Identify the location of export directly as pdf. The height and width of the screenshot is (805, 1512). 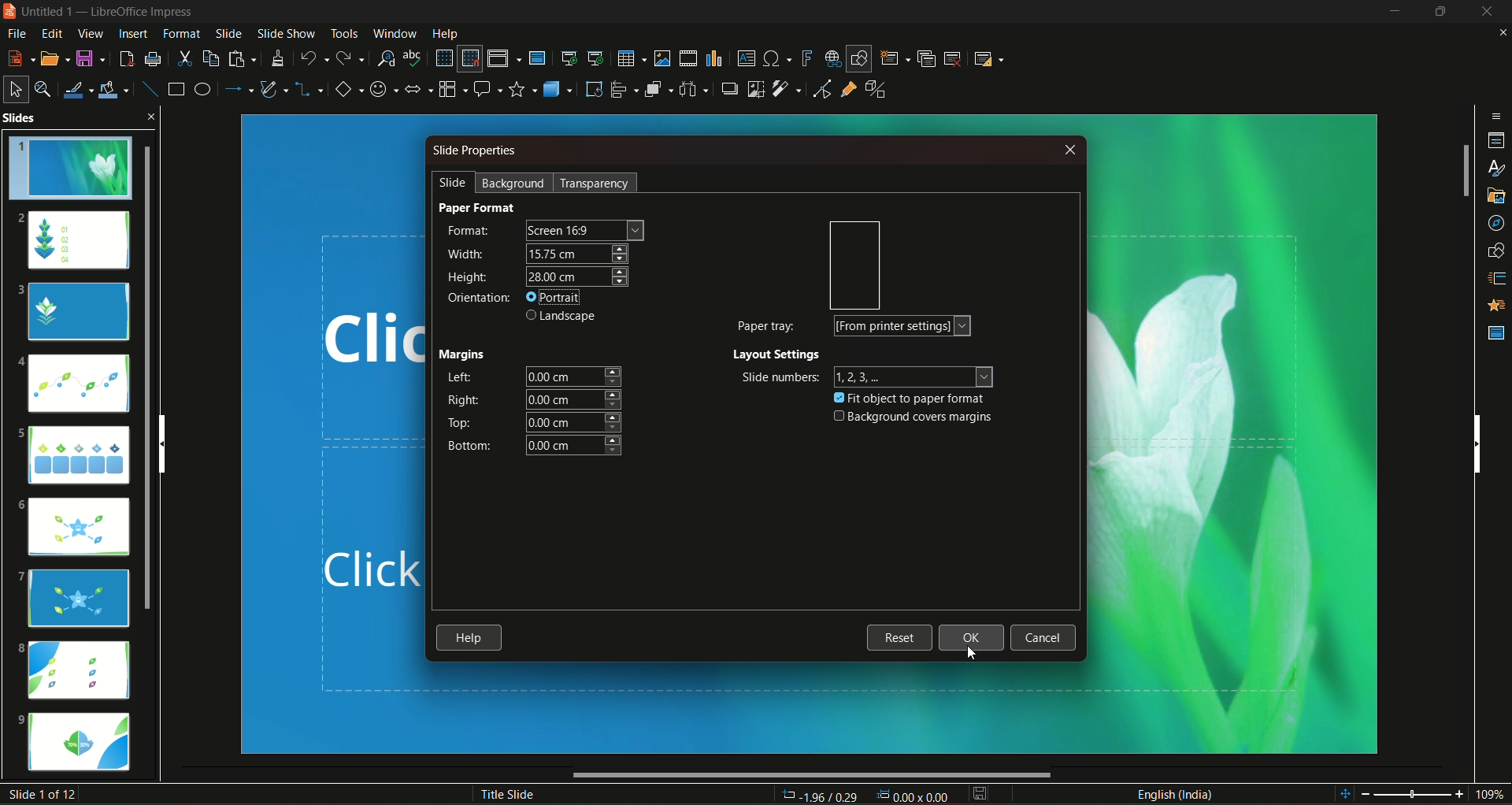
(126, 57).